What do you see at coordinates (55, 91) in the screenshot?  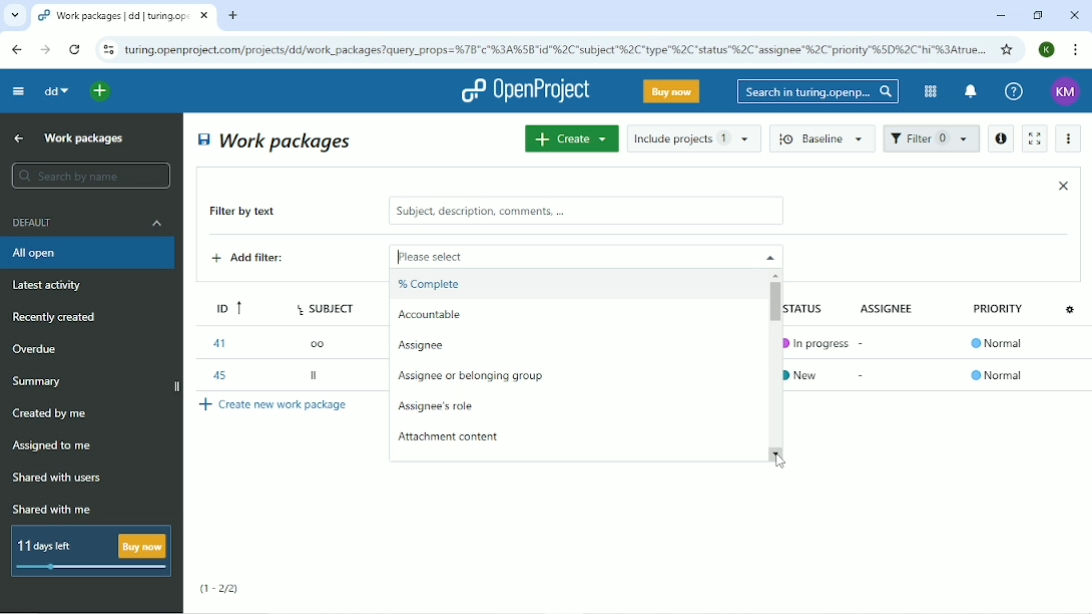 I see `dd` at bounding box center [55, 91].